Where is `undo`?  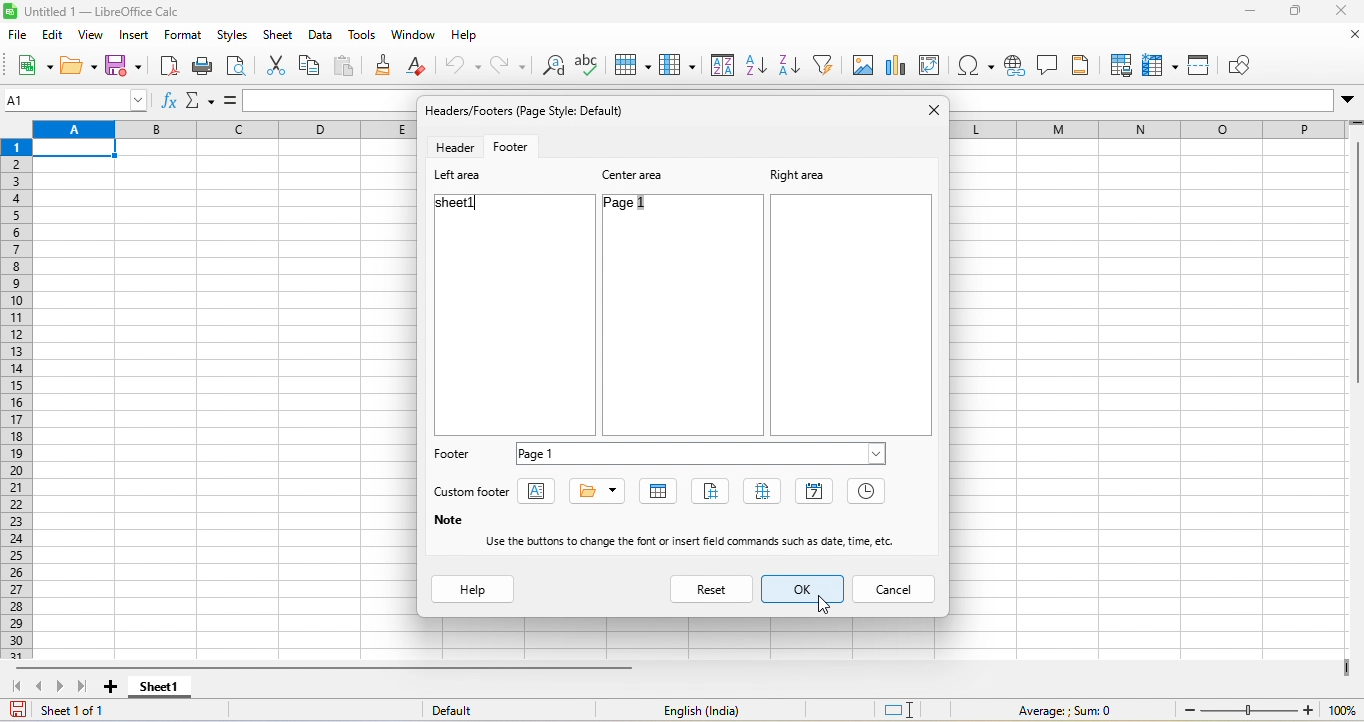
undo is located at coordinates (461, 65).